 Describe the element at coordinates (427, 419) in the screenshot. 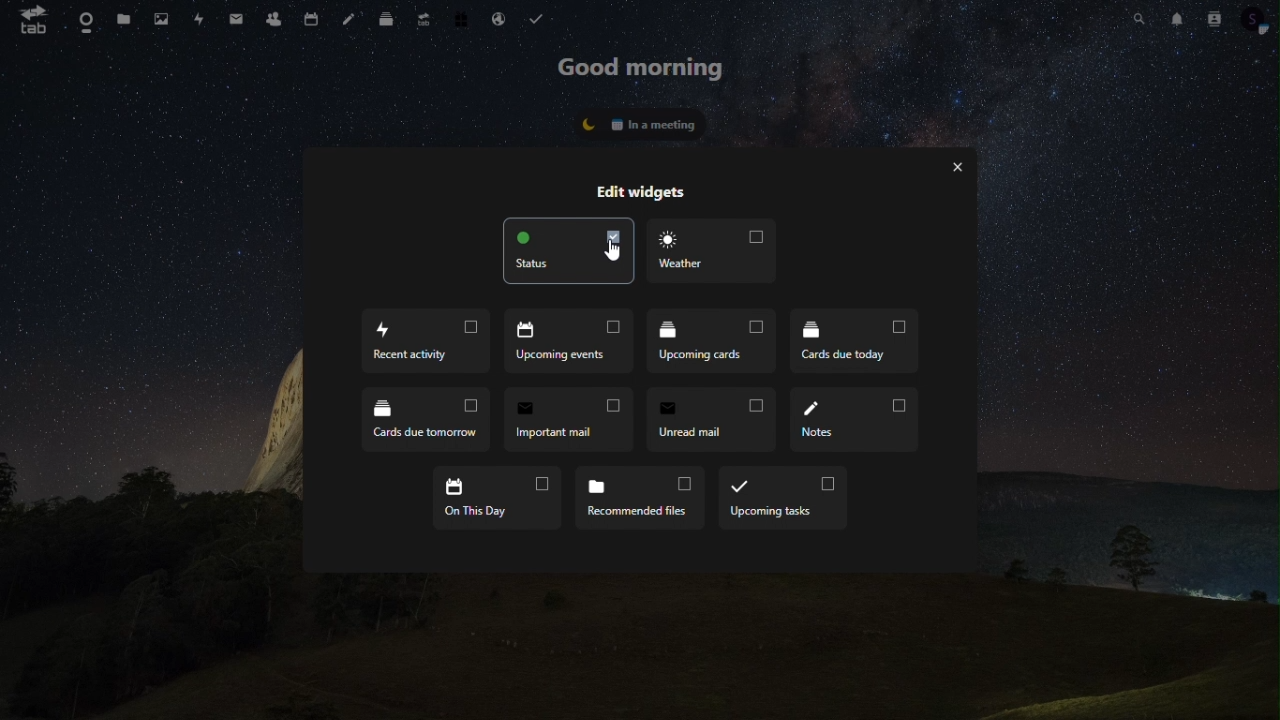

I see `cards due tomorrow` at that location.